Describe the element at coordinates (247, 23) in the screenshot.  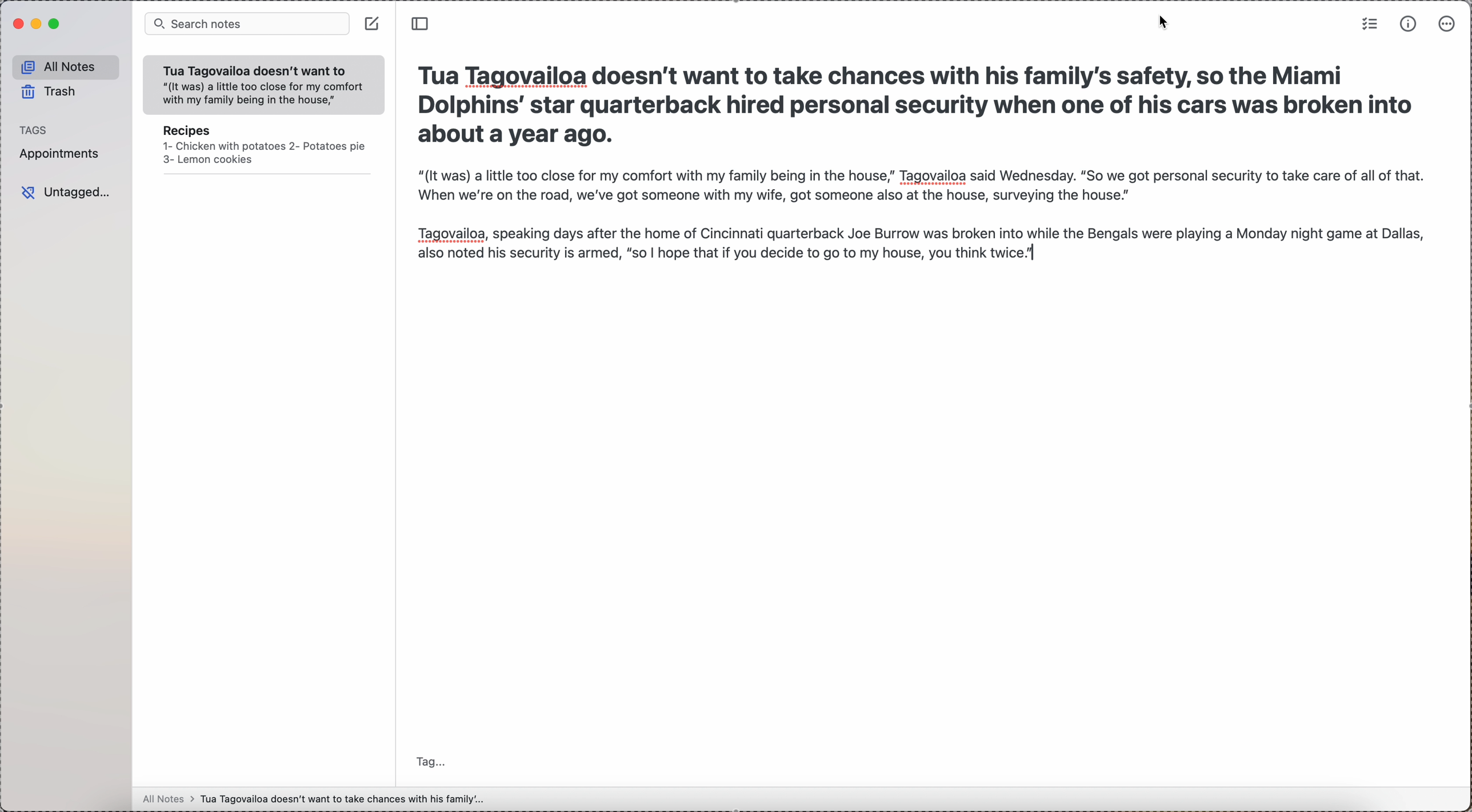
I see `search bar` at that location.